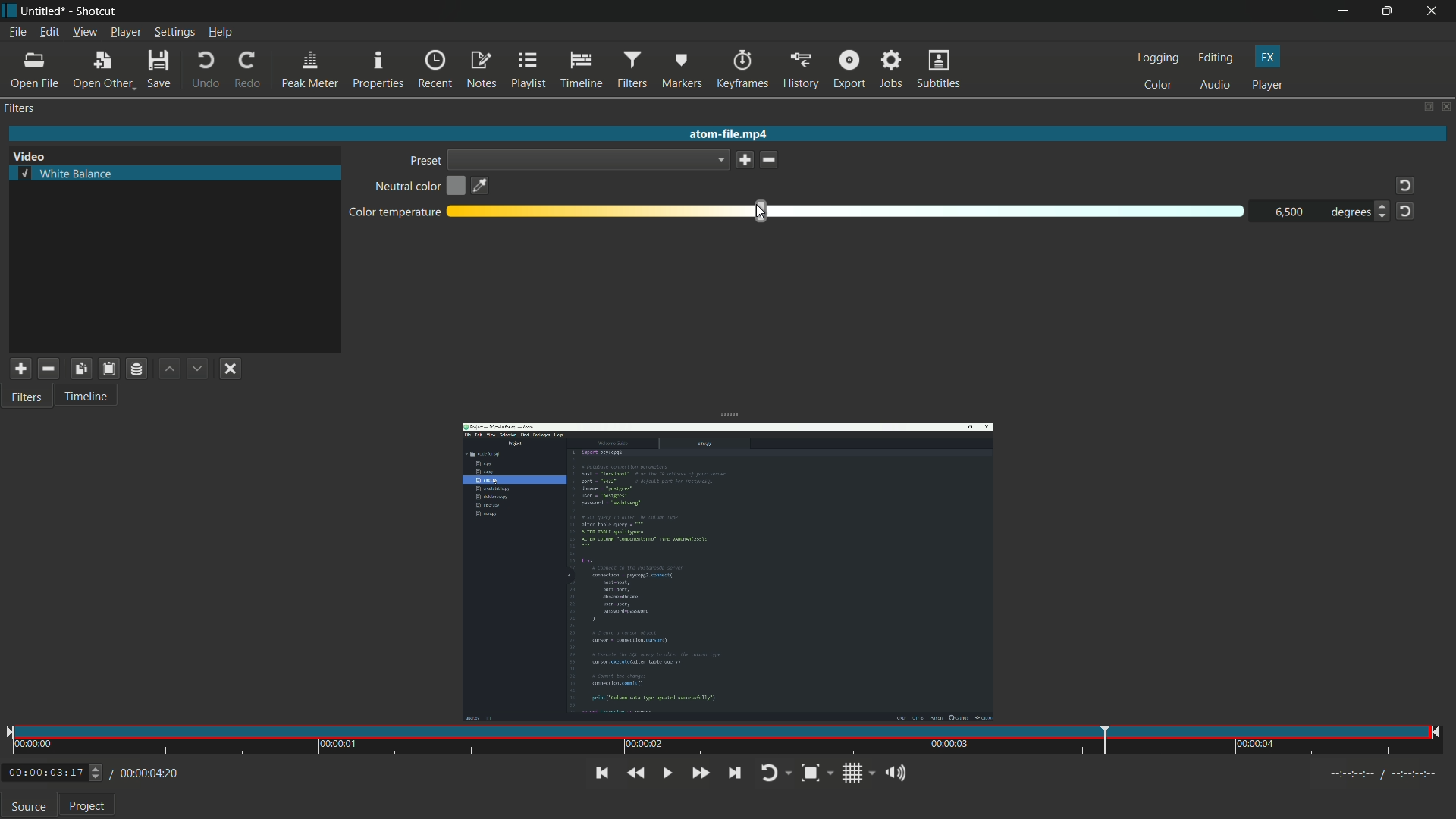 The height and width of the screenshot is (819, 1456). What do you see at coordinates (745, 159) in the screenshot?
I see `save` at bounding box center [745, 159].